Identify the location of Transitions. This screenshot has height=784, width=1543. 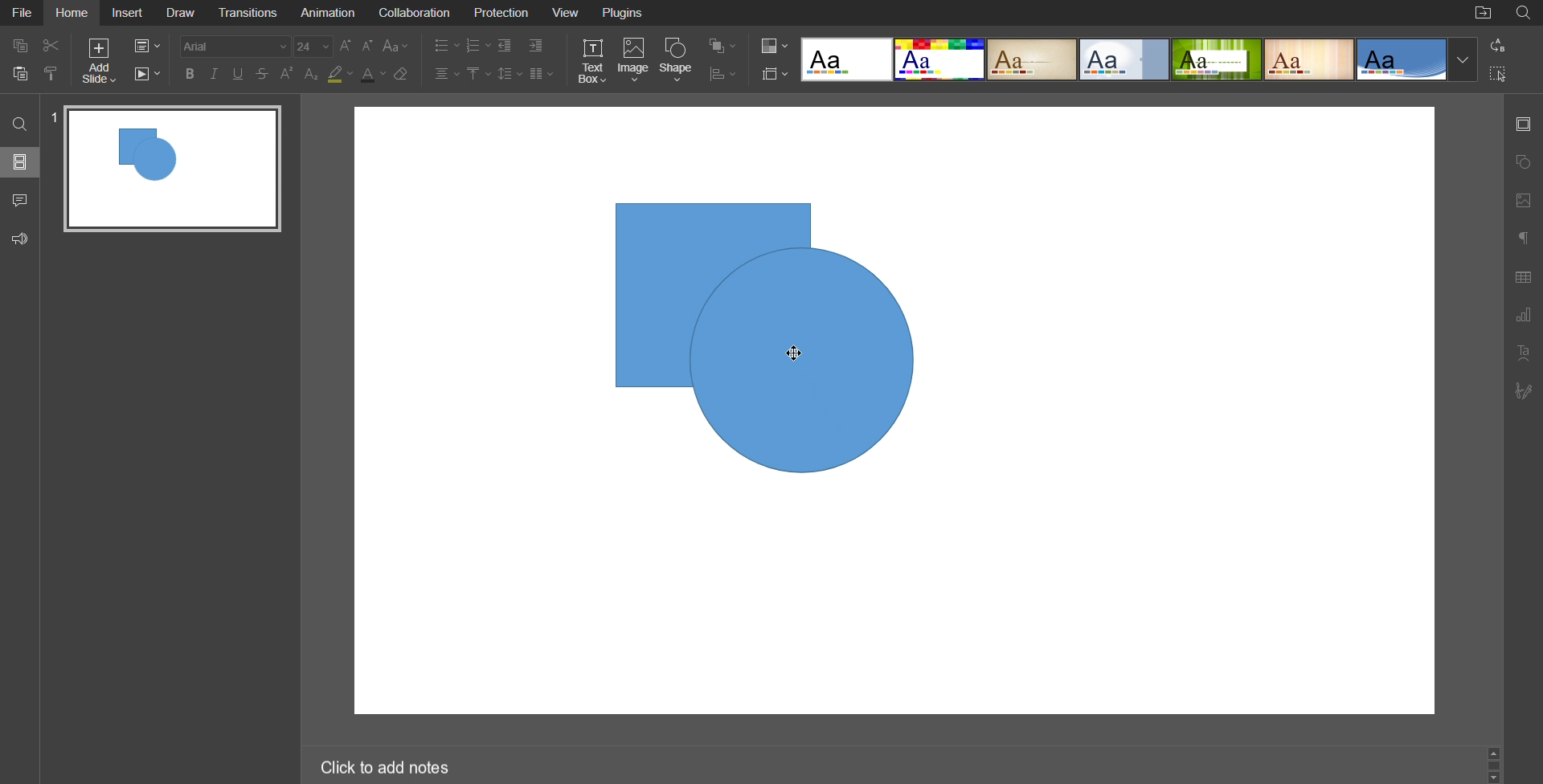
(249, 13).